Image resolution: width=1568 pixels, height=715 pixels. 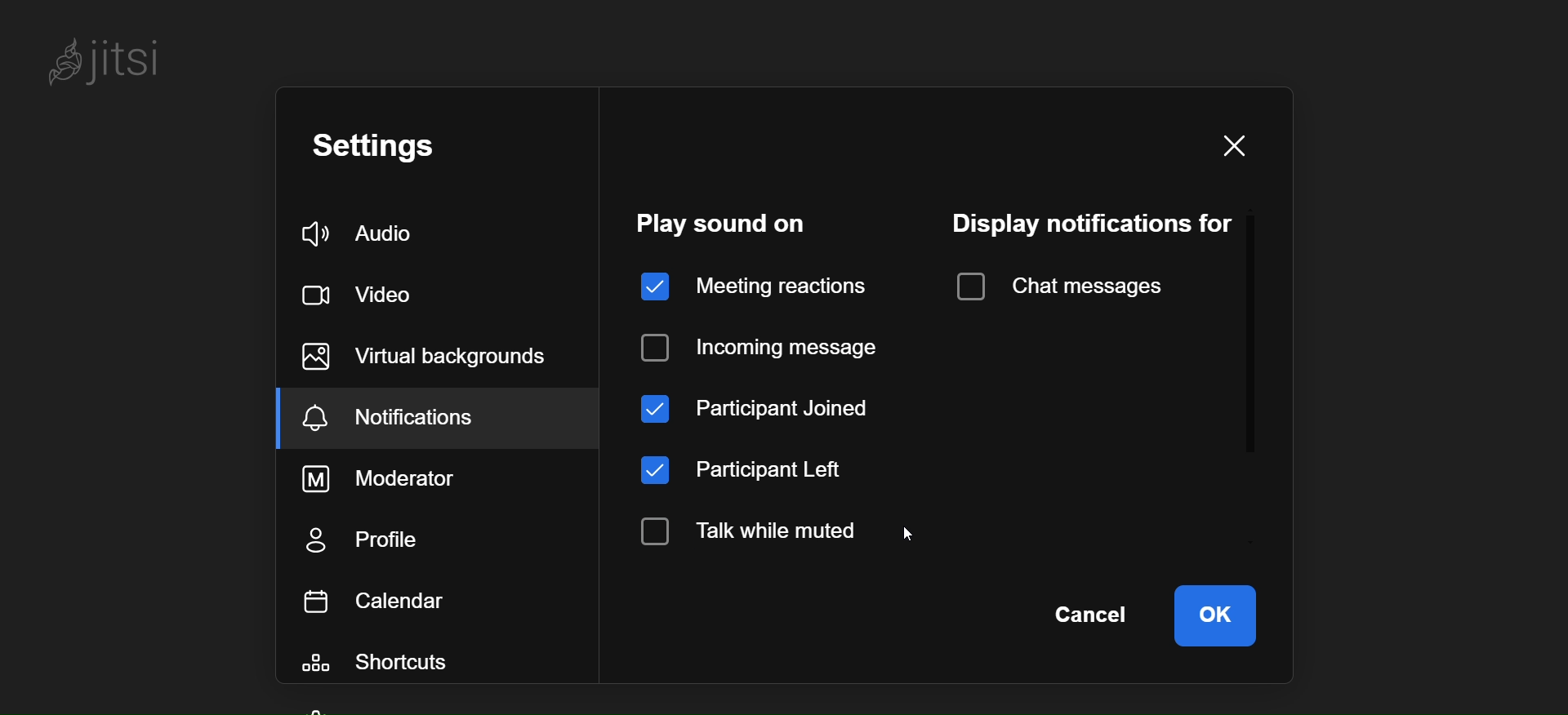 What do you see at coordinates (379, 597) in the screenshot?
I see `calendar` at bounding box center [379, 597].